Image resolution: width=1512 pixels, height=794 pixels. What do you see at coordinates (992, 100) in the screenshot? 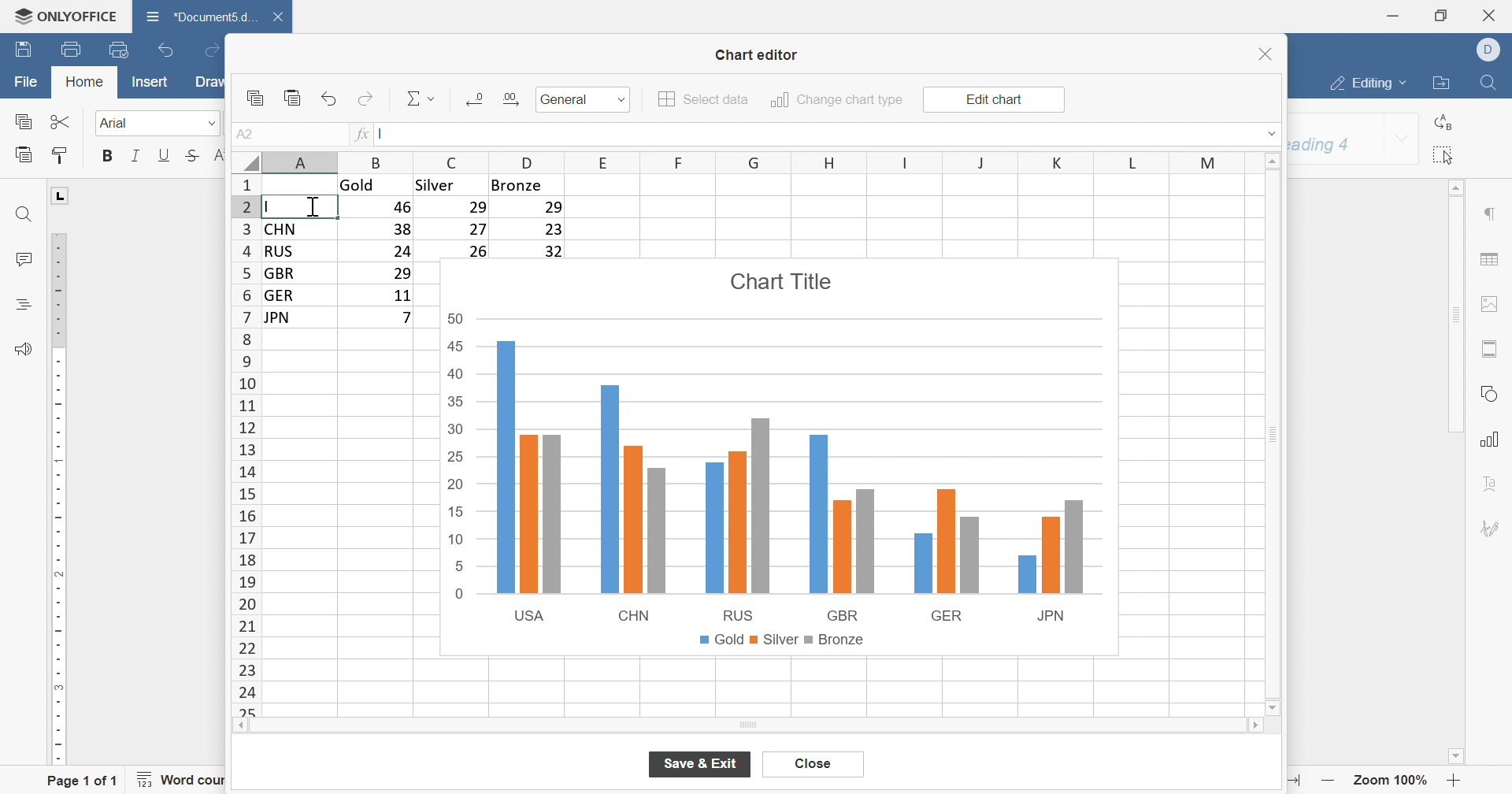
I see `edit chart` at bounding box center [992, 100].